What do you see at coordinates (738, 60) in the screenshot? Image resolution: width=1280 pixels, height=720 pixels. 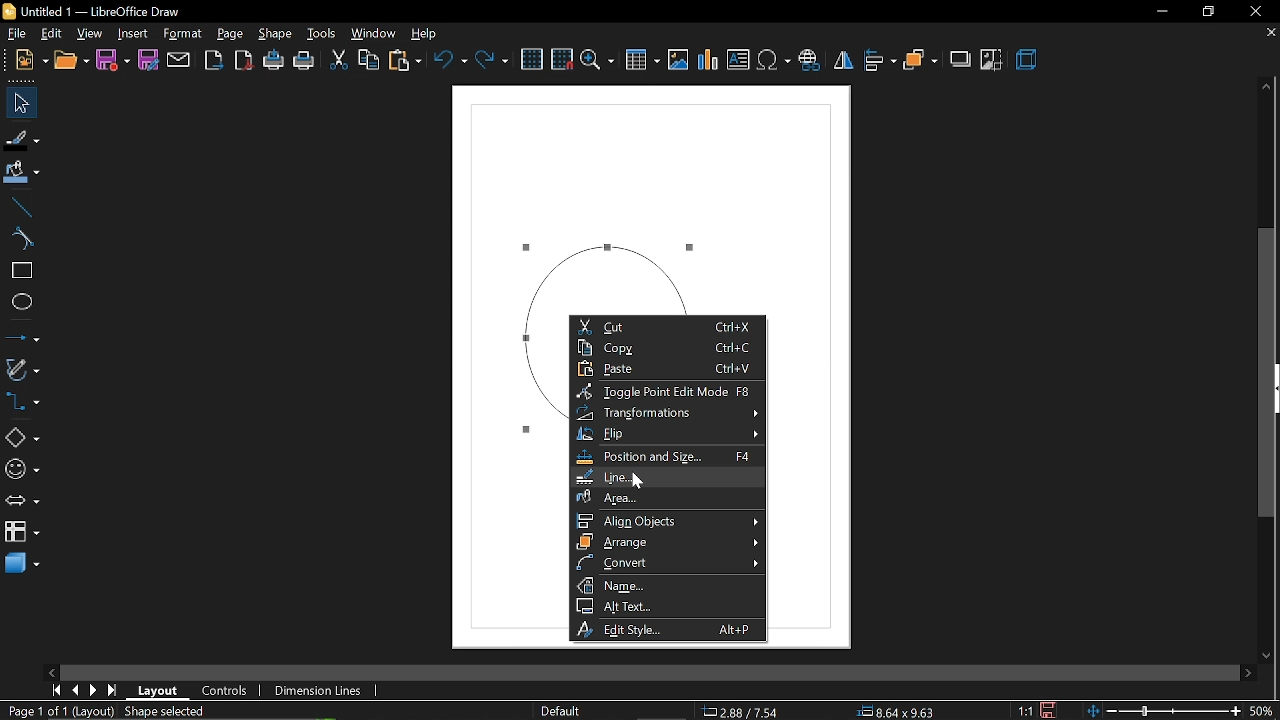 I see `insert text` at bounding box center [738, 60].